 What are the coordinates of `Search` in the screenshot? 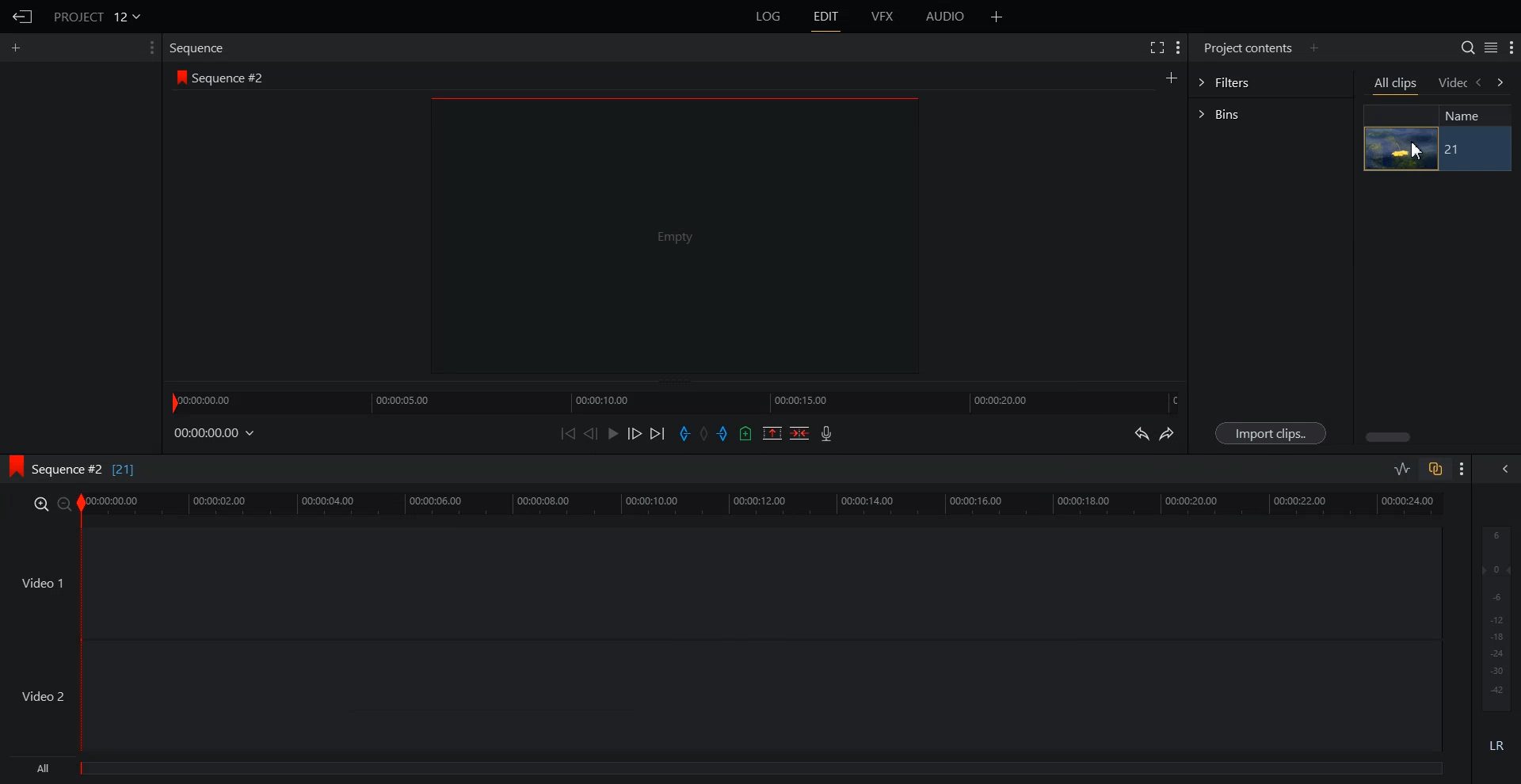 It's located at (1461, 46).